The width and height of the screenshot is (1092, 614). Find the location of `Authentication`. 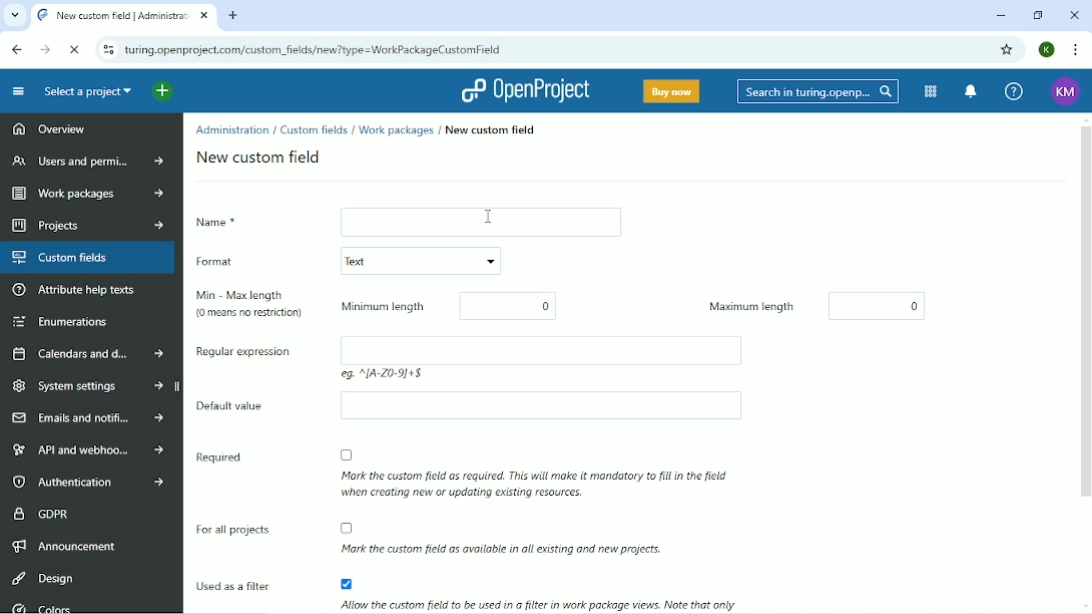

Authentication is located at coordinates (93, 482).